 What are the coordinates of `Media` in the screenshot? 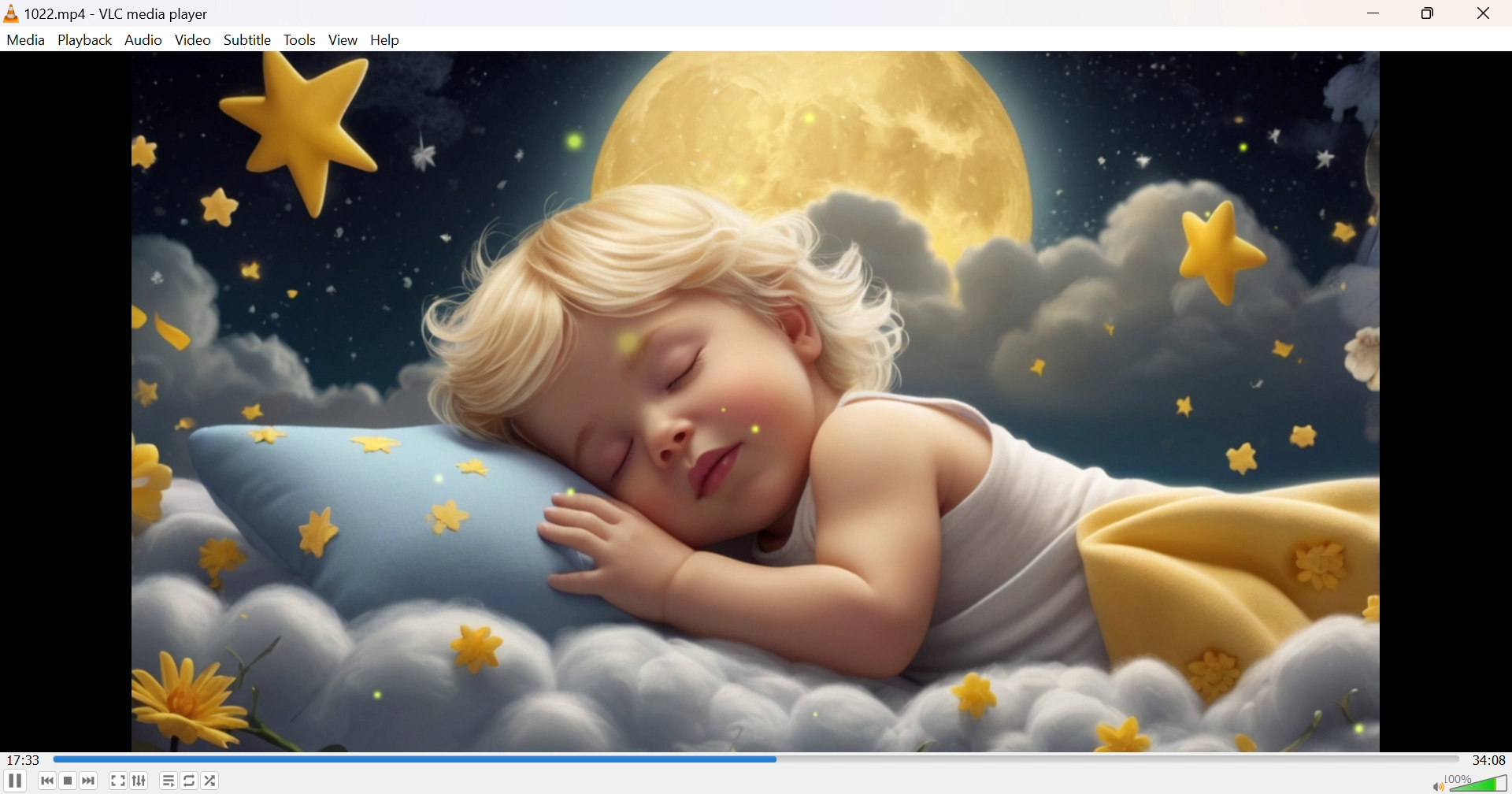 It's located at (25, 39).